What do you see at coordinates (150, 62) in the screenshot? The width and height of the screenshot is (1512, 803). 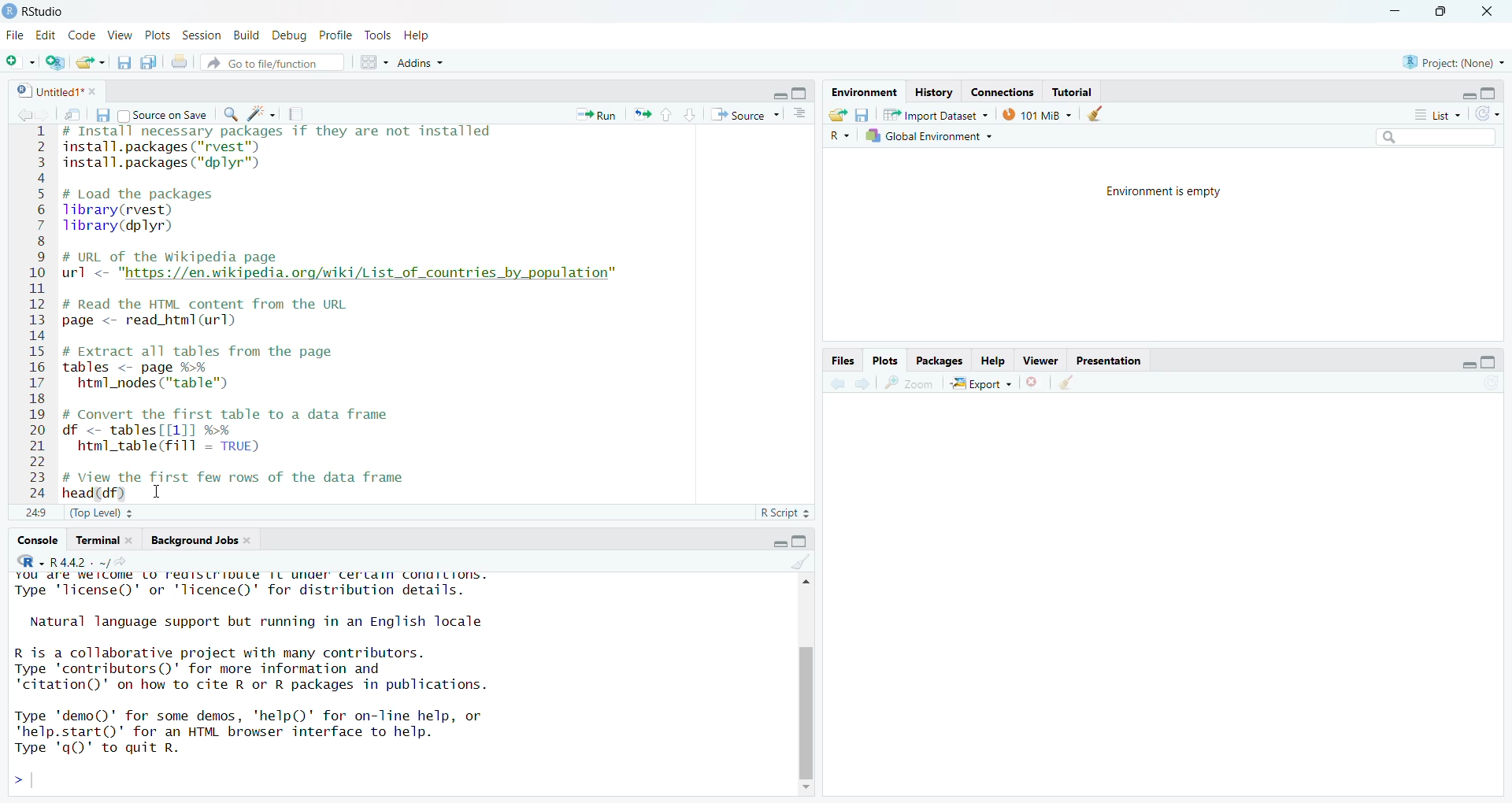 I see `save all` at bounding box center [150, 62].